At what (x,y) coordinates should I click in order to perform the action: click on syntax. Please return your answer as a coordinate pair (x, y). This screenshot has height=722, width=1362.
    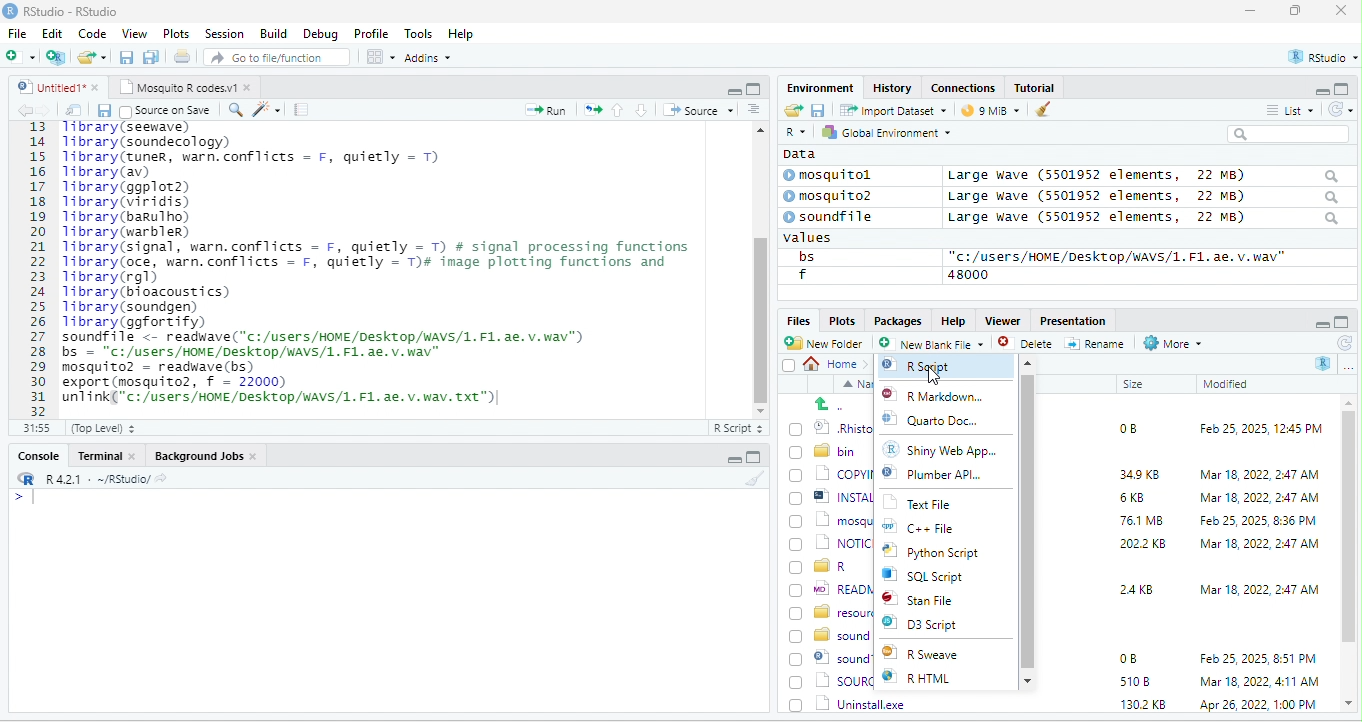
    Looking at the image, I should click on (20, 500).